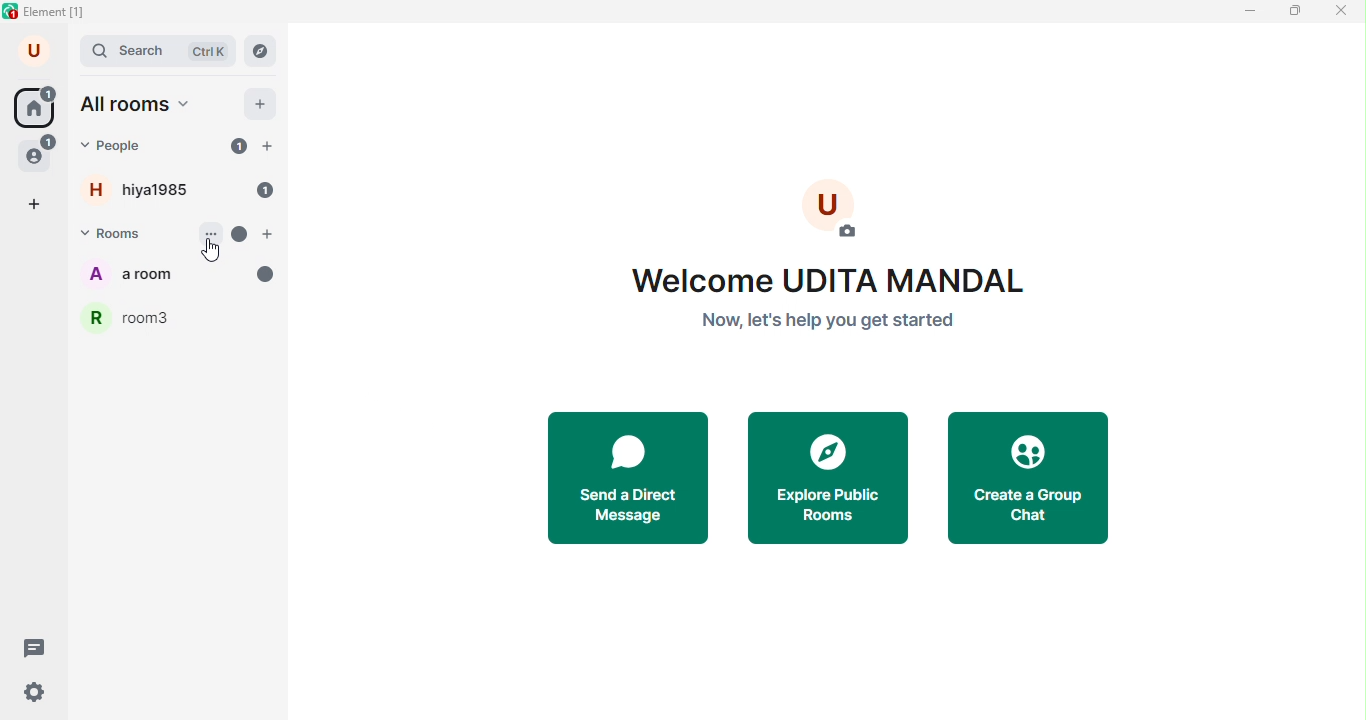 The image size is (1366, 720). Describe the element at coordinates (829, 478) in the screenshot. I see `explore public rooms` at that location.